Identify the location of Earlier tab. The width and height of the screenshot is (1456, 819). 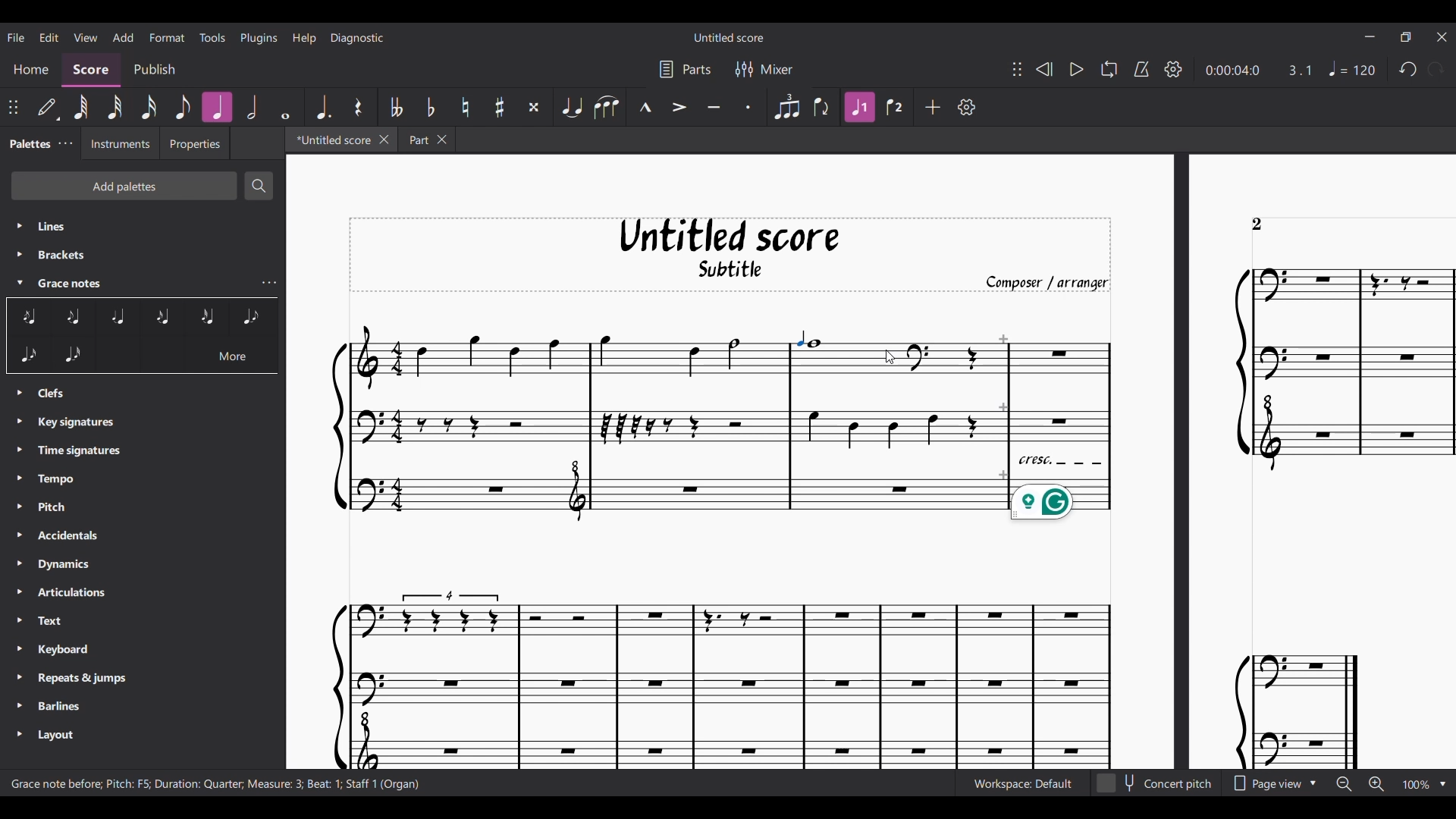
(427, 139).